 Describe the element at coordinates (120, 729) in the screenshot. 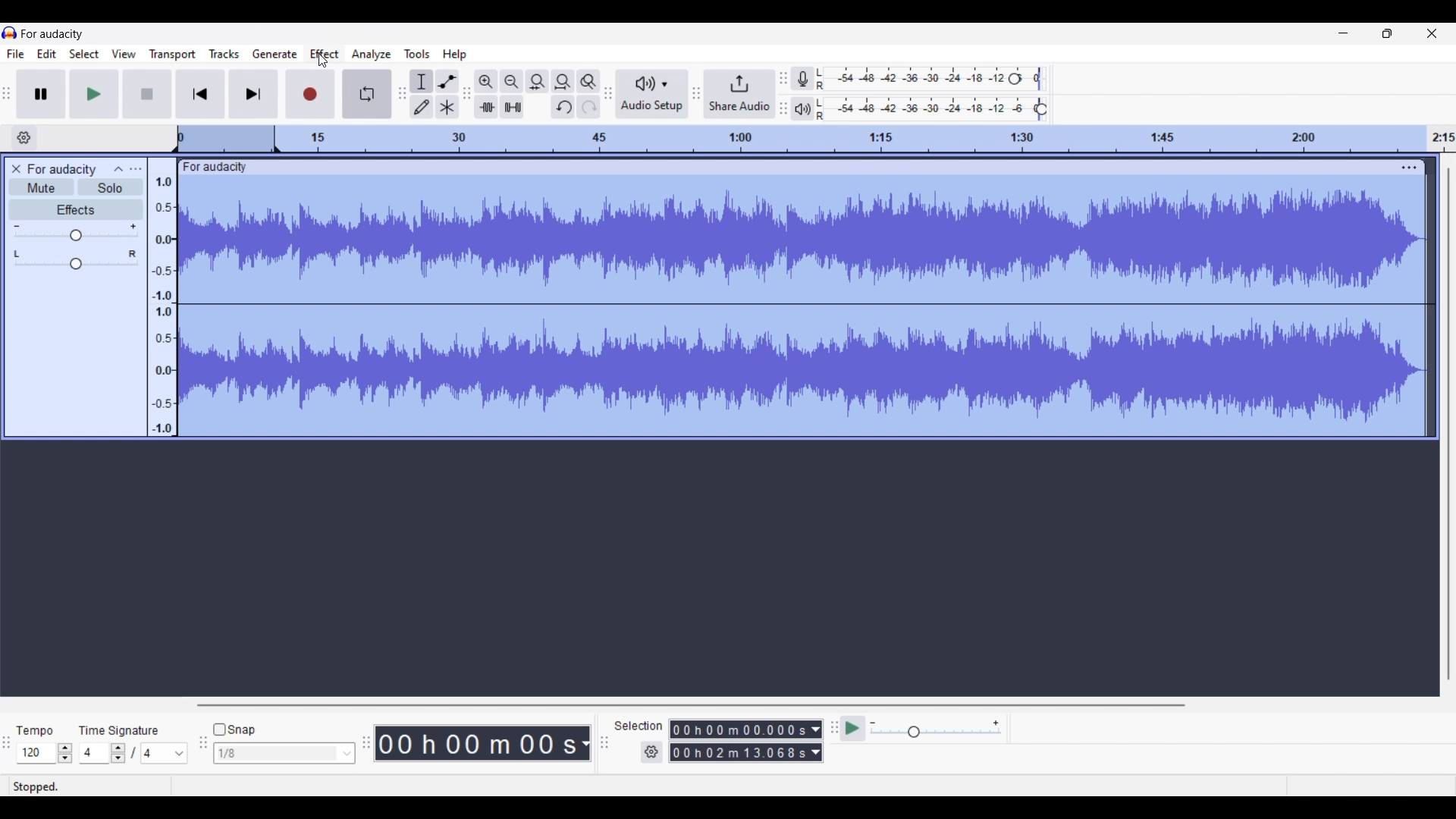

I see `TIme signature` at that location.